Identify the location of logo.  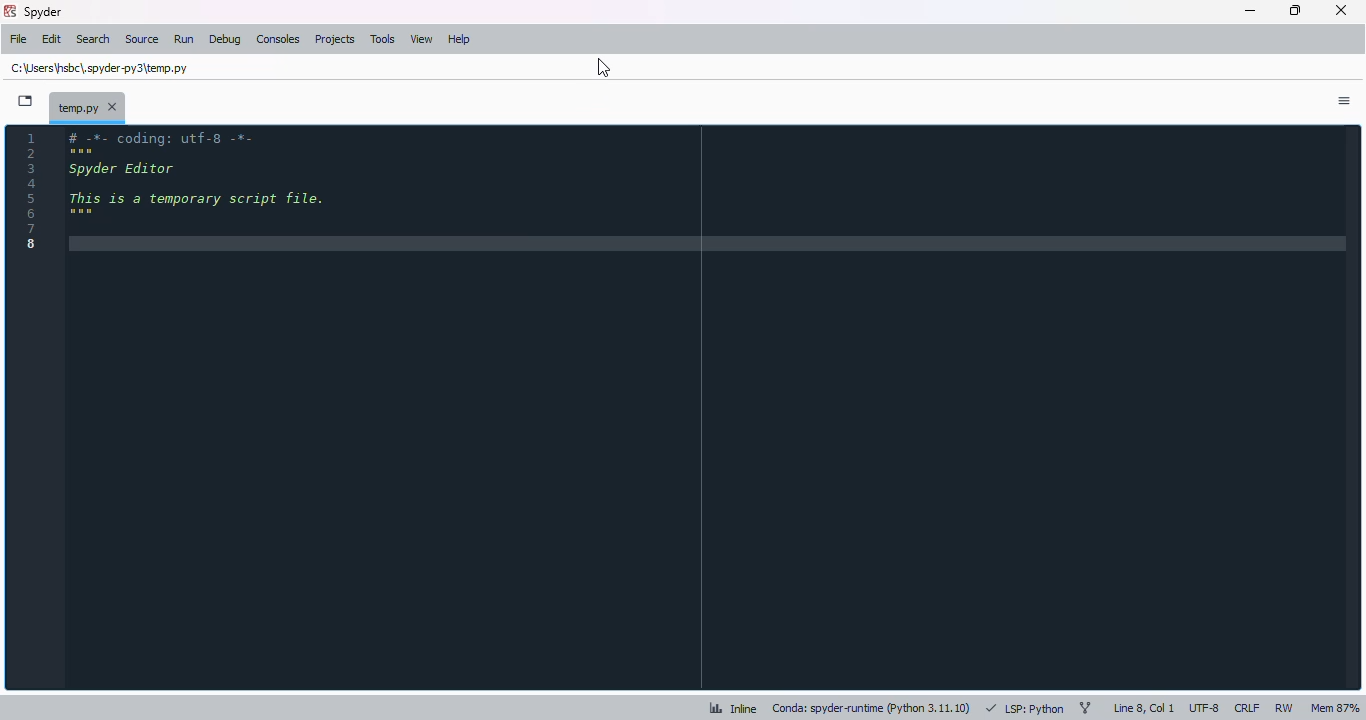
(9, 11).